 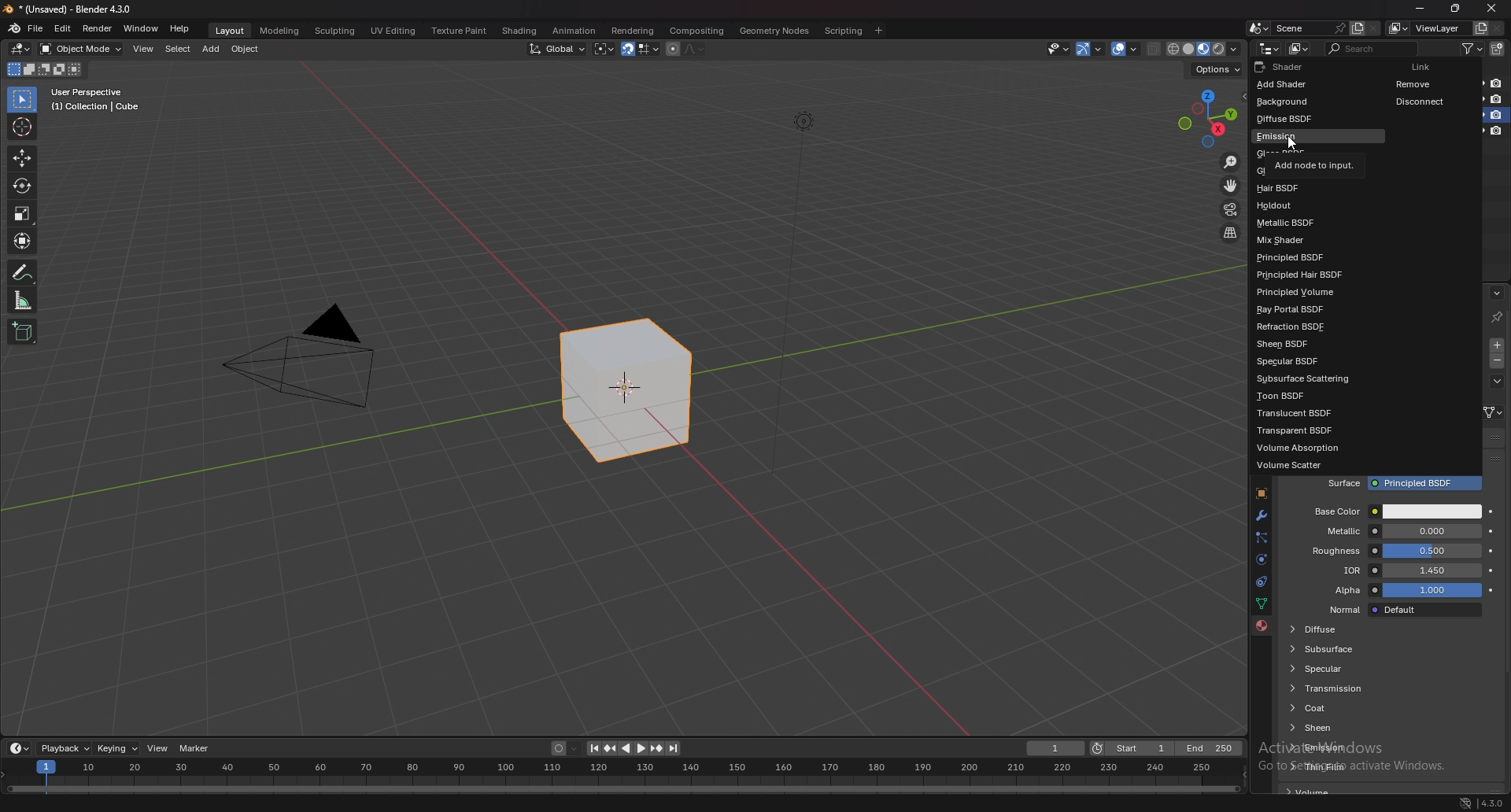 What do you see at coordinates (1309, 275) in the screenshot?
I see `principled hair bsdf` at bounding box center [1309, 275].